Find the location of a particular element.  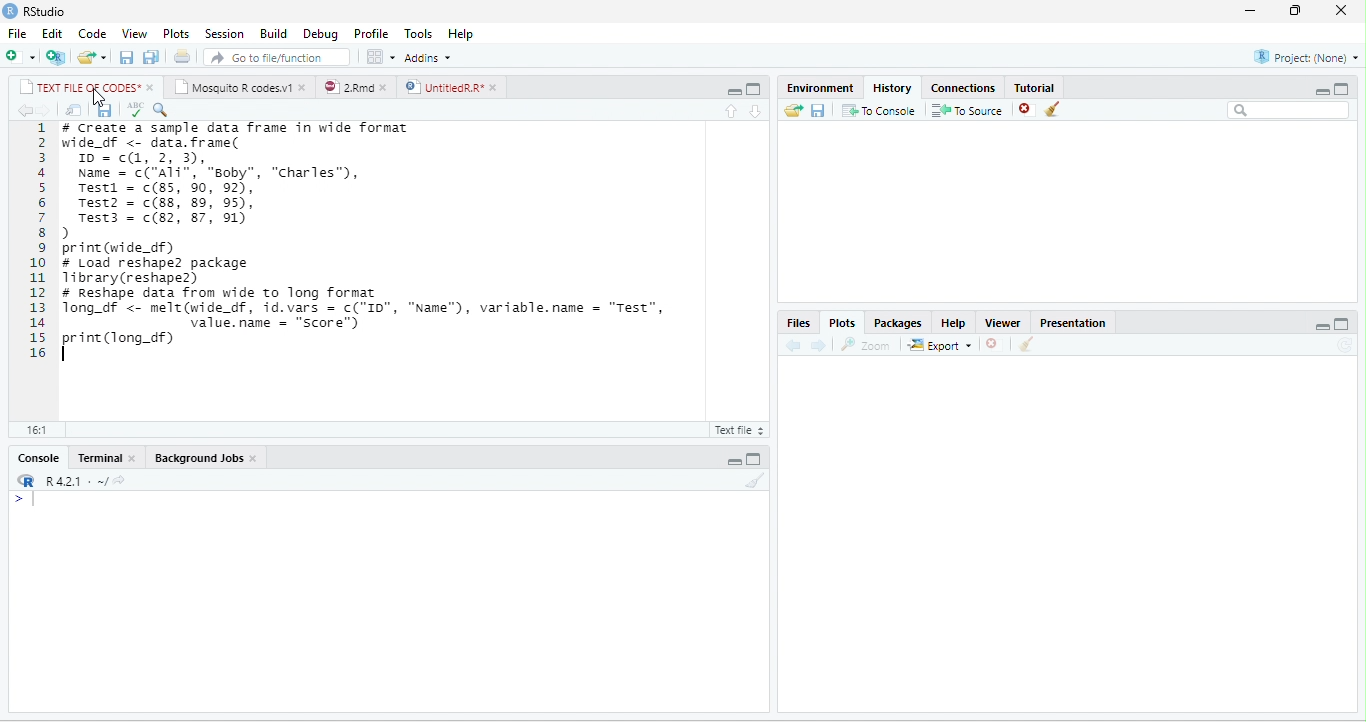

minimize is located at coordinates (734, 92).